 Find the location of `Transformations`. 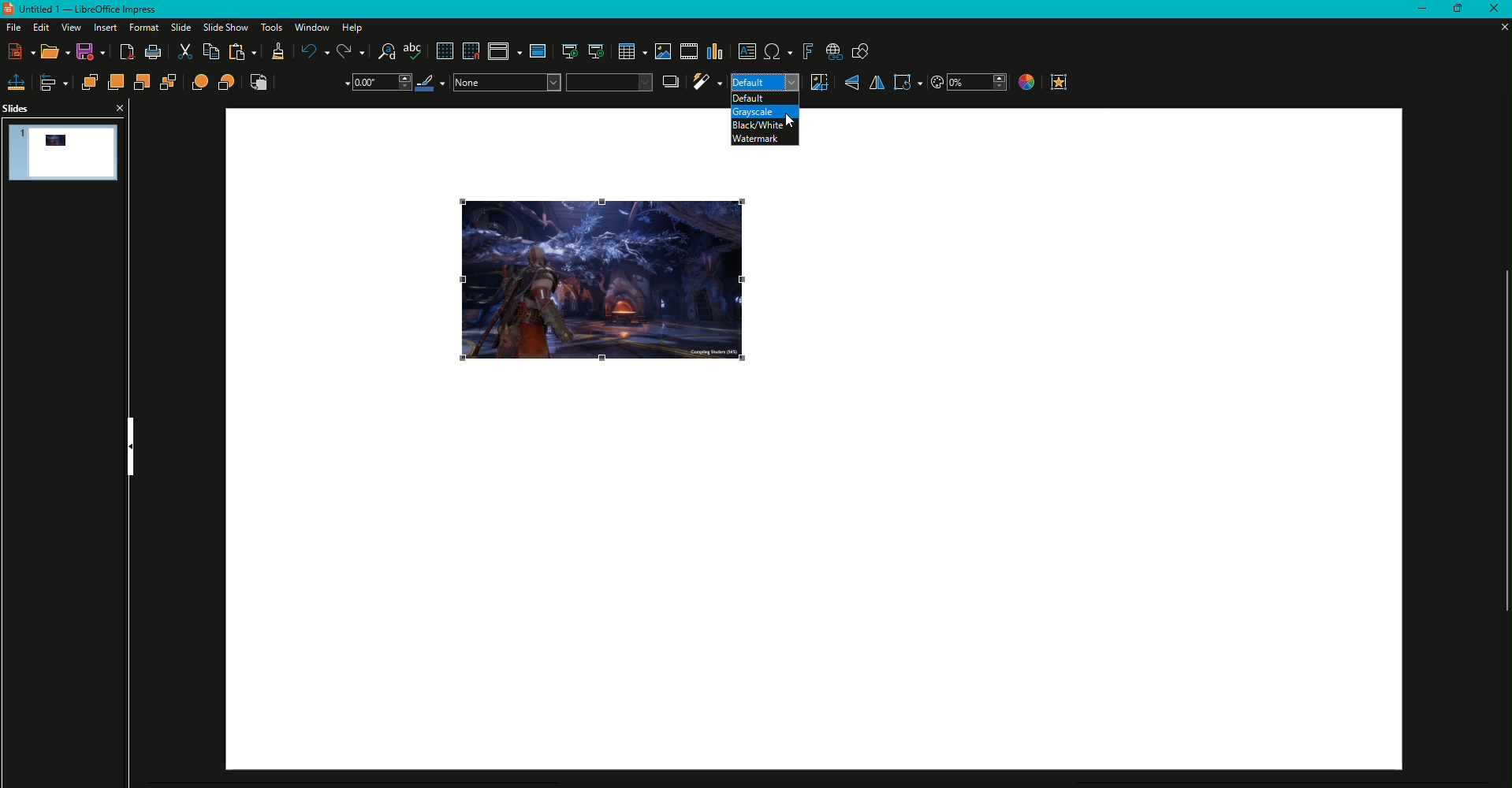

Transformations is located at coordinates (907, 82).